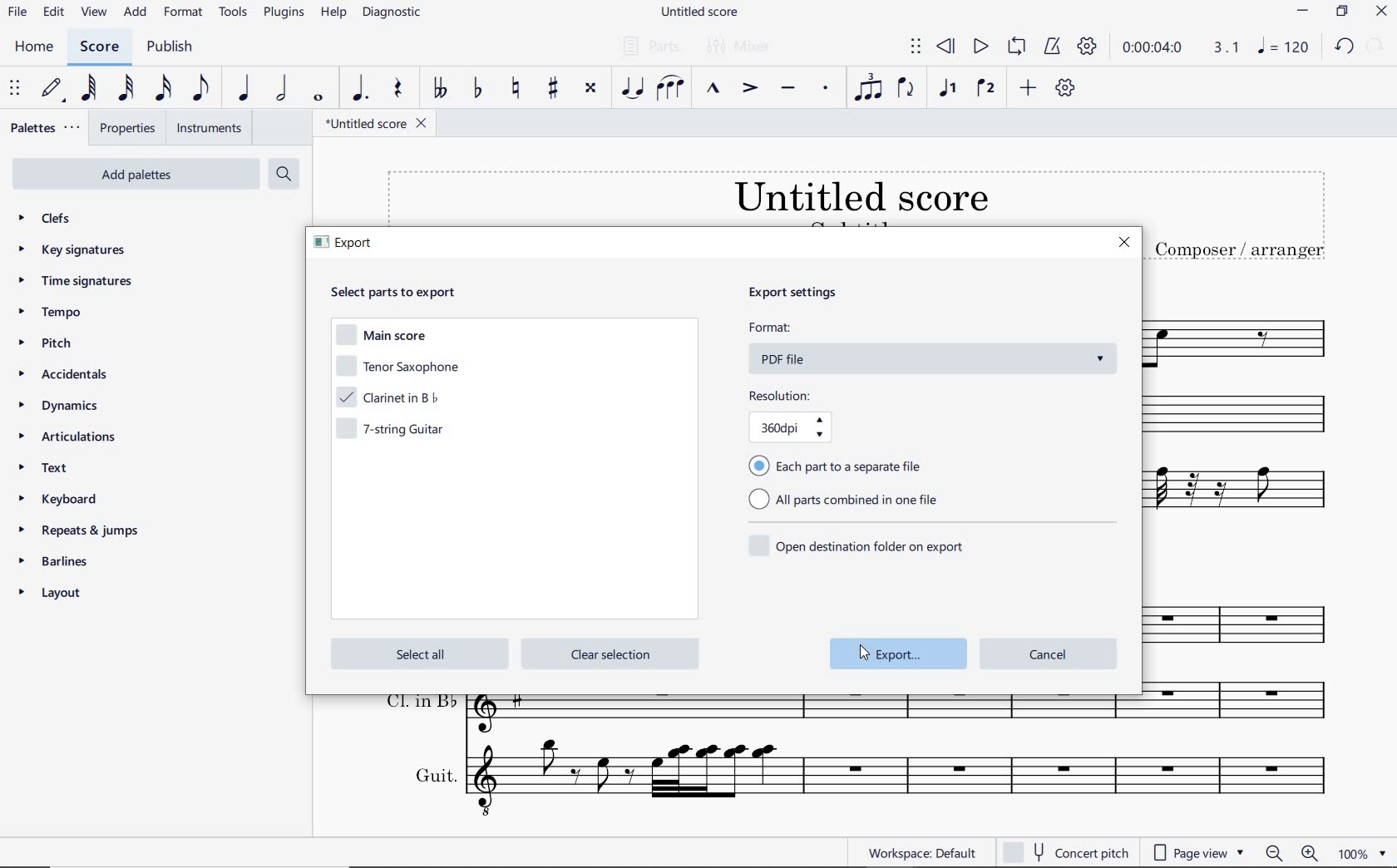  What do you see at coordinates (863, 650) in the screenshot?
I see `cursor` at bounding box center [863, 650].